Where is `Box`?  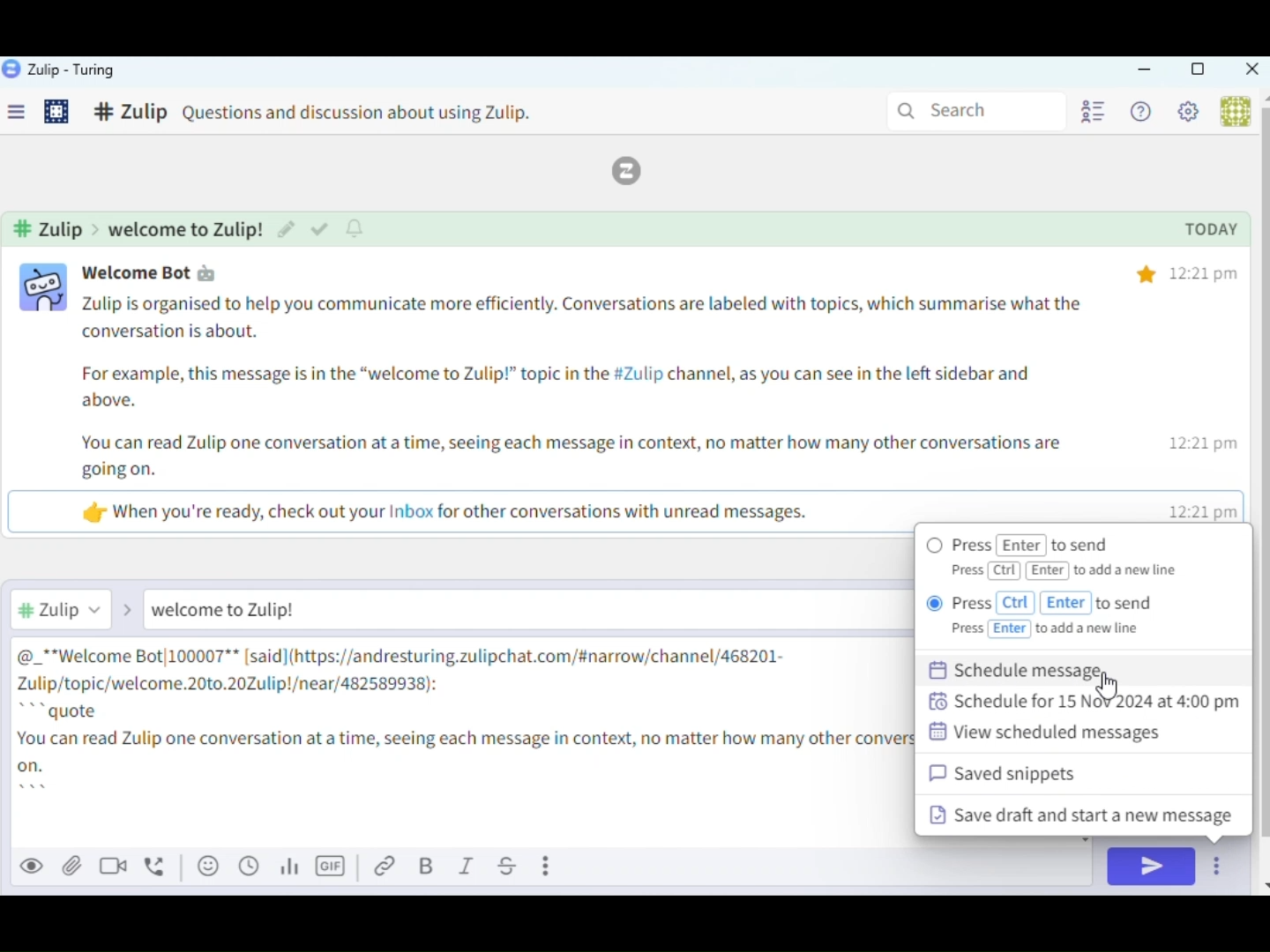
Box is located at coordinates (1197, 70).